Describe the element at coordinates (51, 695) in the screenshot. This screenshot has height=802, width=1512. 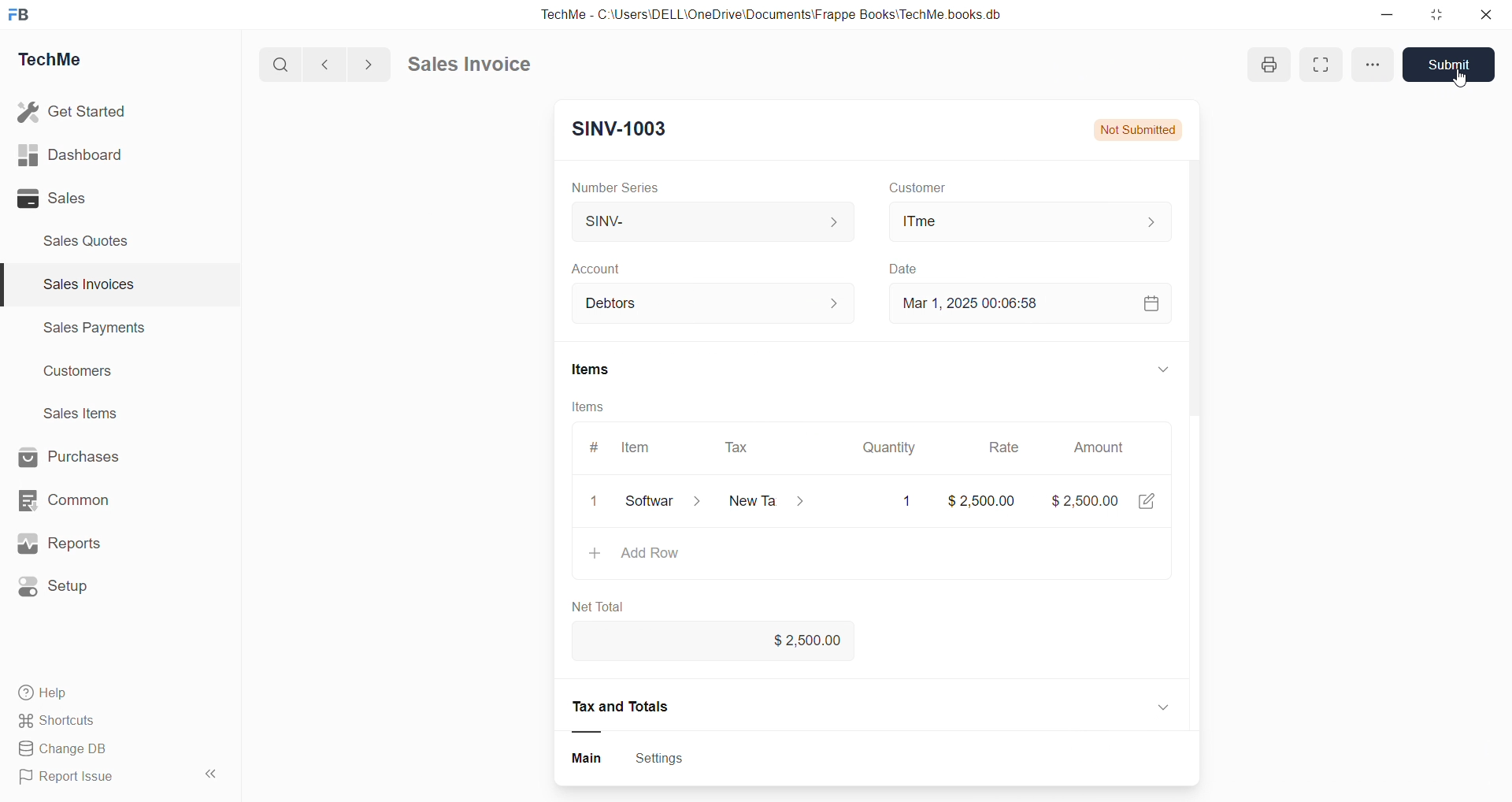
I see ` Help` at that location.